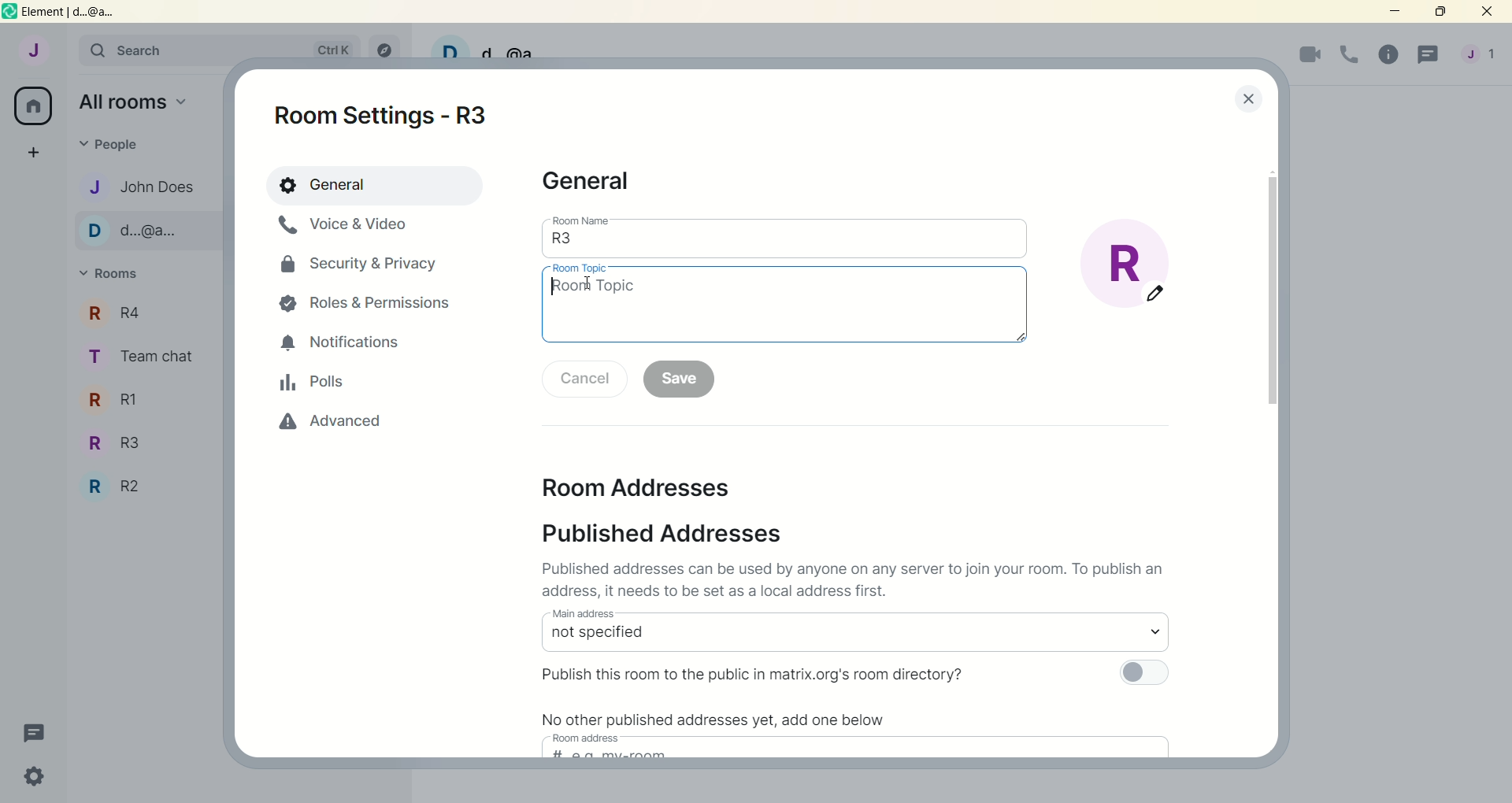 Image resolution: width=1512 pixels, height=803 pixels. What do you see at coordinates (332, 420) in the screenshot?
I see `advanced` at bounding box center [332, 420].